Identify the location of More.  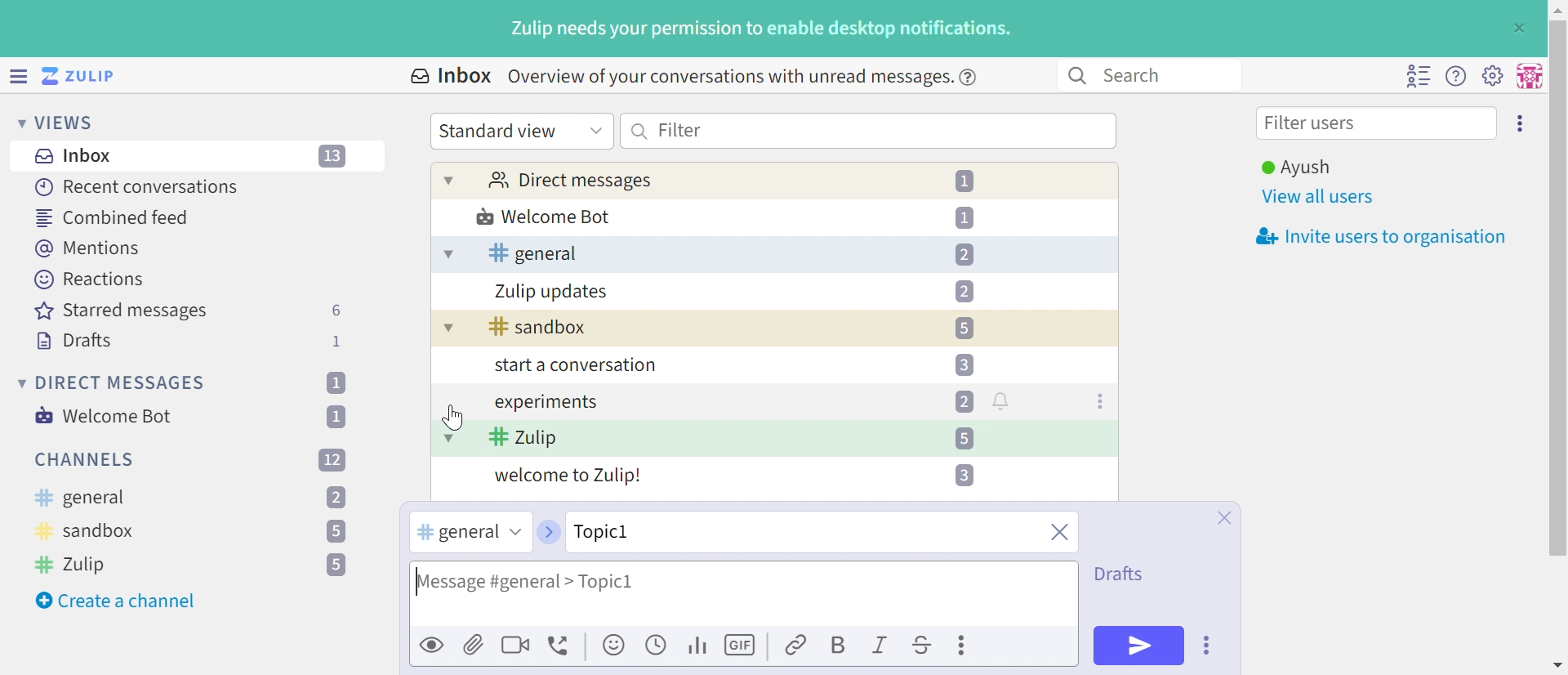
(964, 645).